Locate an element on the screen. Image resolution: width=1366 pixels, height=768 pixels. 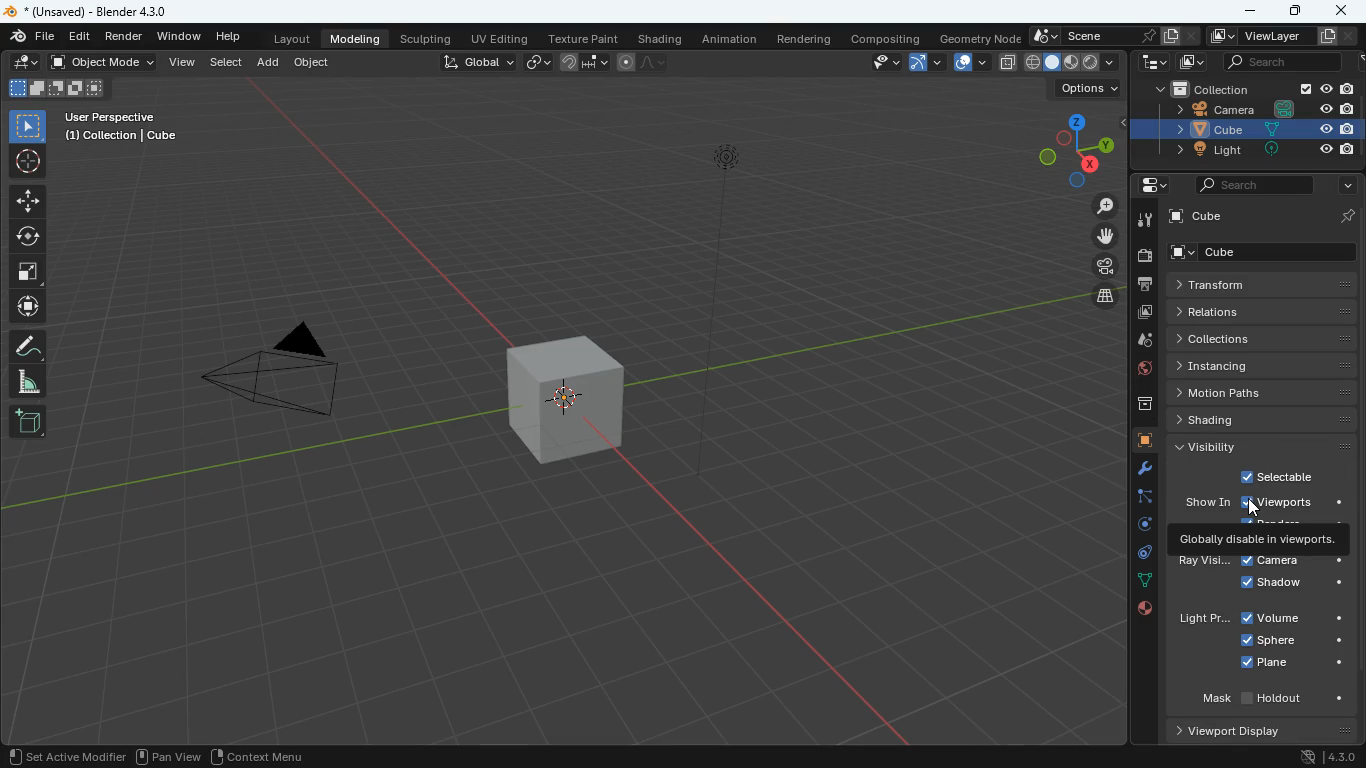
link is located at coordinates (537, 61).